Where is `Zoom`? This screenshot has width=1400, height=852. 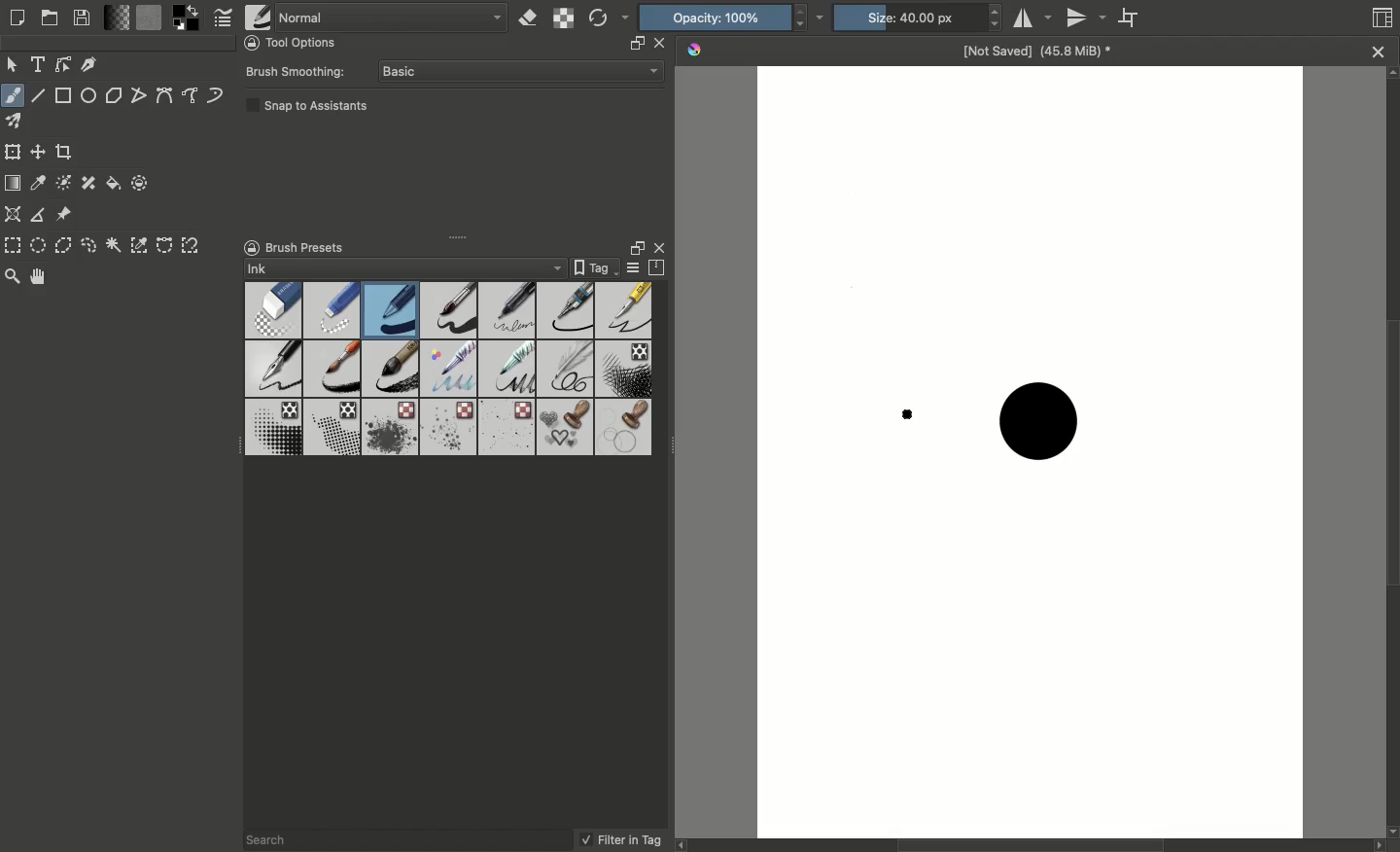
Zoom is located at coordinates (14, 277).